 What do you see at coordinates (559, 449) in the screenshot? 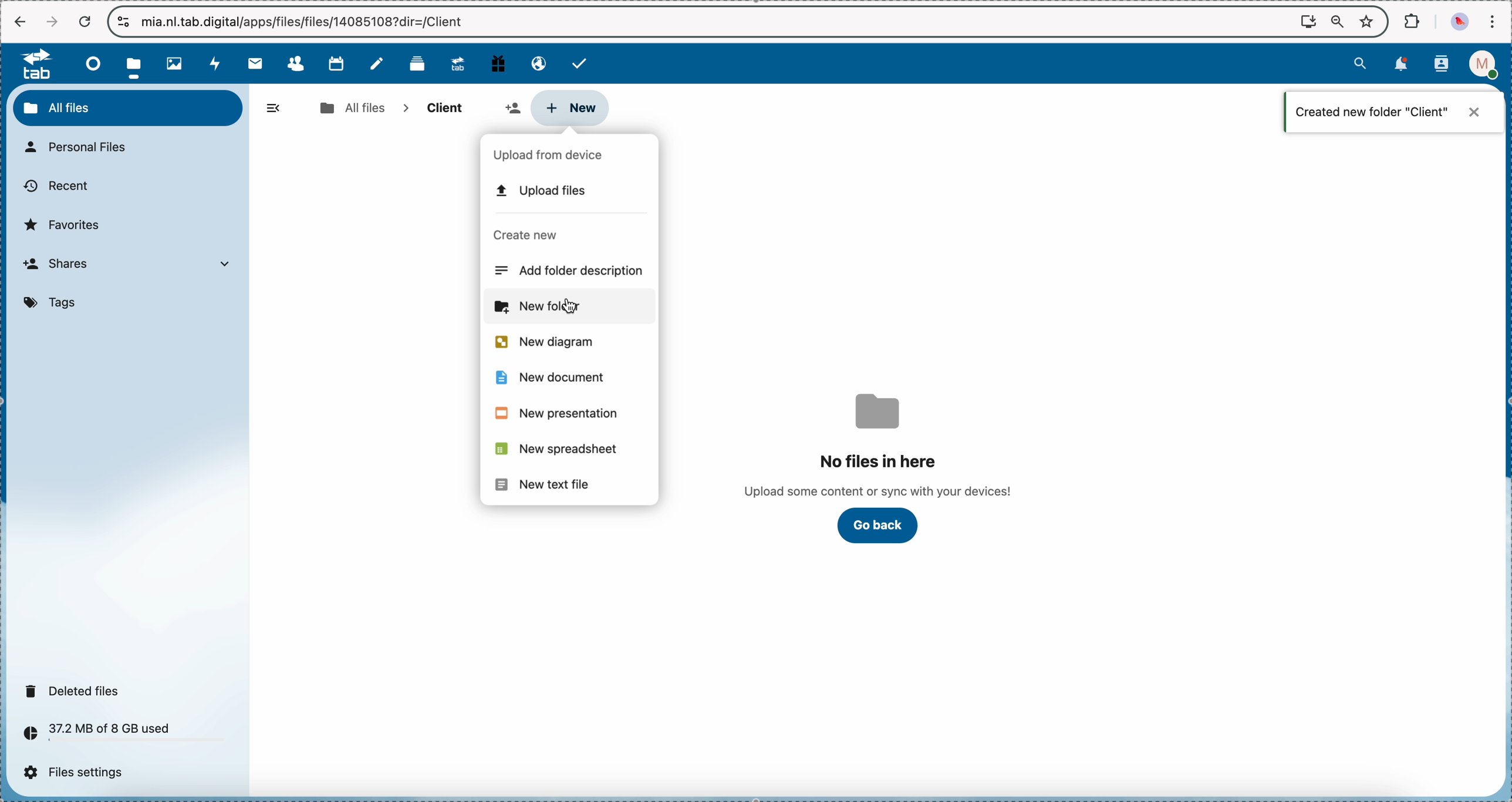
I see `new spreadsheet` at bounding box center [559, 449].